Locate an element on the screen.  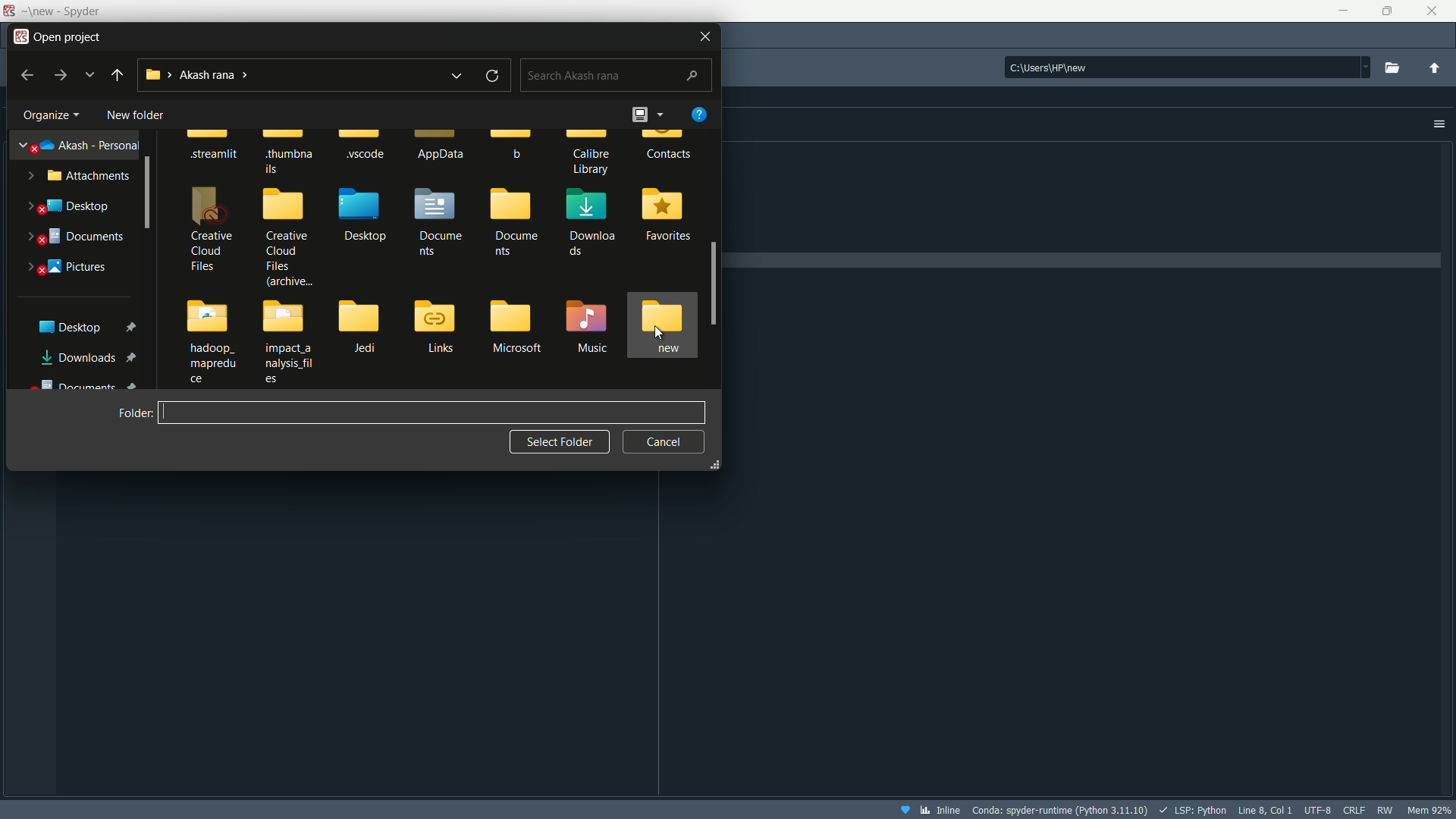
interpreter is located at coordinates (1062, 809).